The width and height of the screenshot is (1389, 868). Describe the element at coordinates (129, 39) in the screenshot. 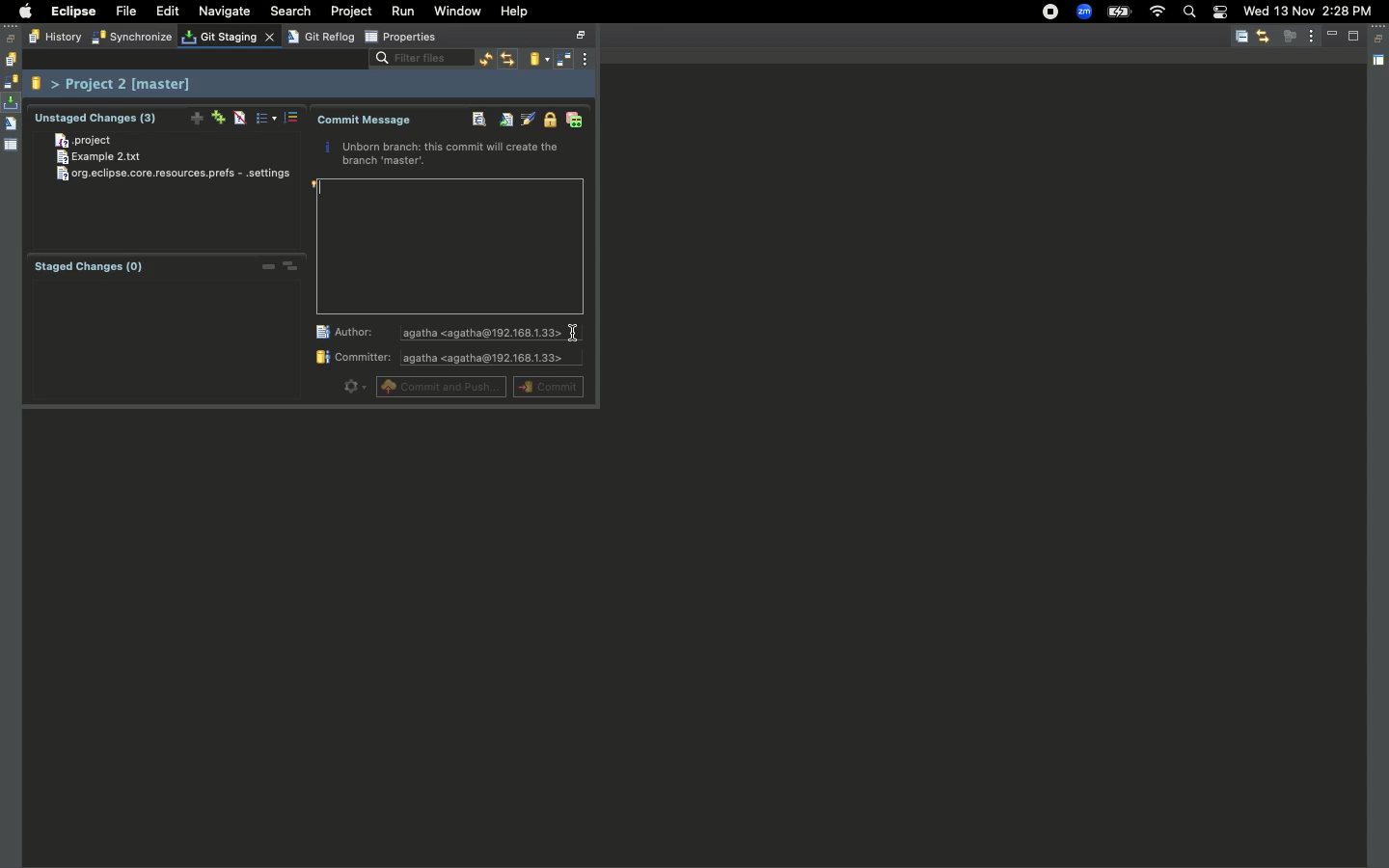

I see `Synchronize` at that location.